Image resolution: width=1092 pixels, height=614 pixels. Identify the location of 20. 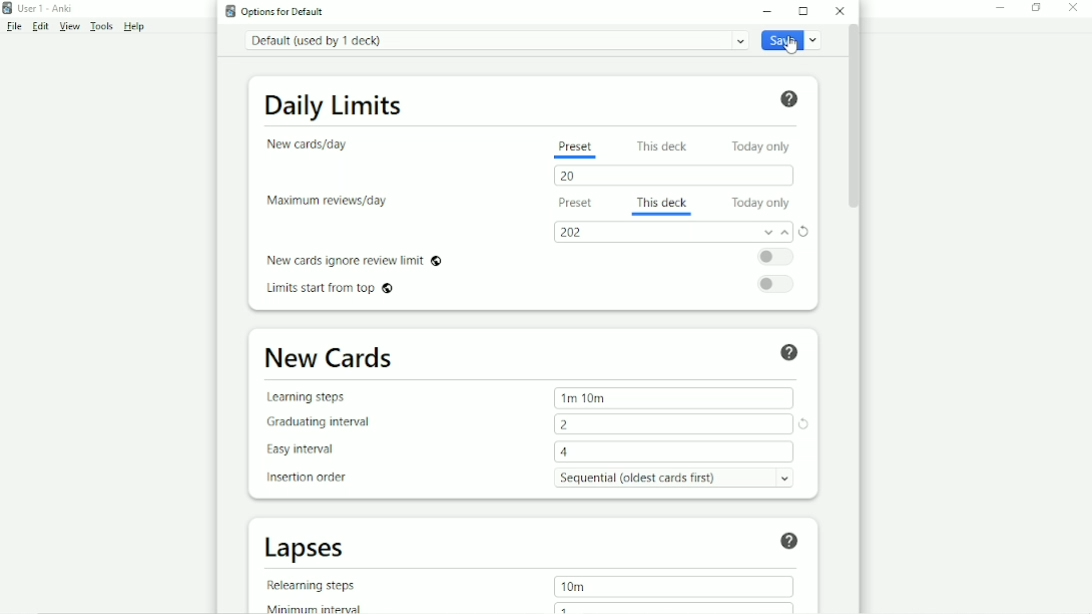
(573, 176).